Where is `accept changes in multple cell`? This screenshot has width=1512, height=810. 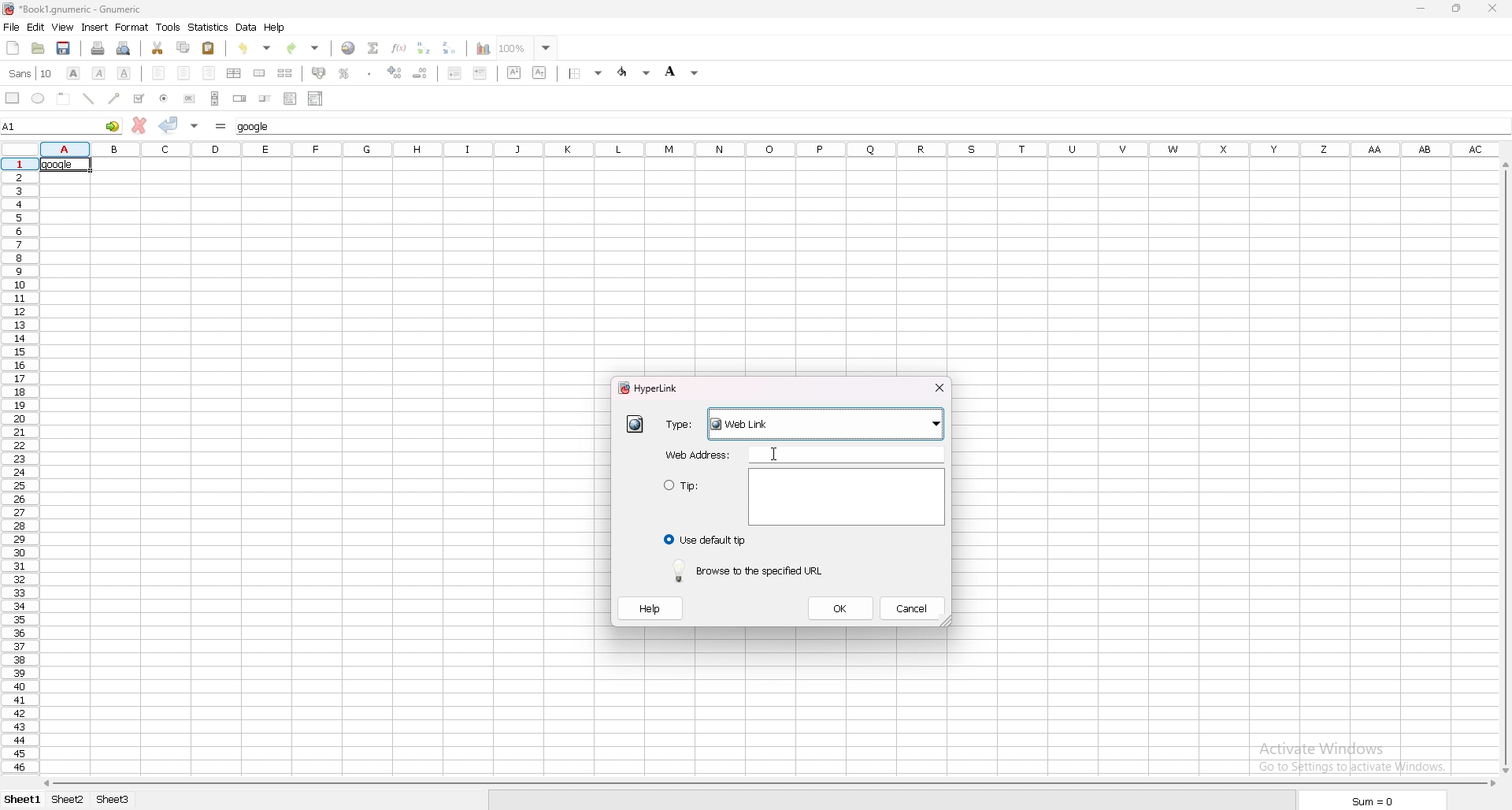
accept changes in multple cell is located at coordinates (196, 126).